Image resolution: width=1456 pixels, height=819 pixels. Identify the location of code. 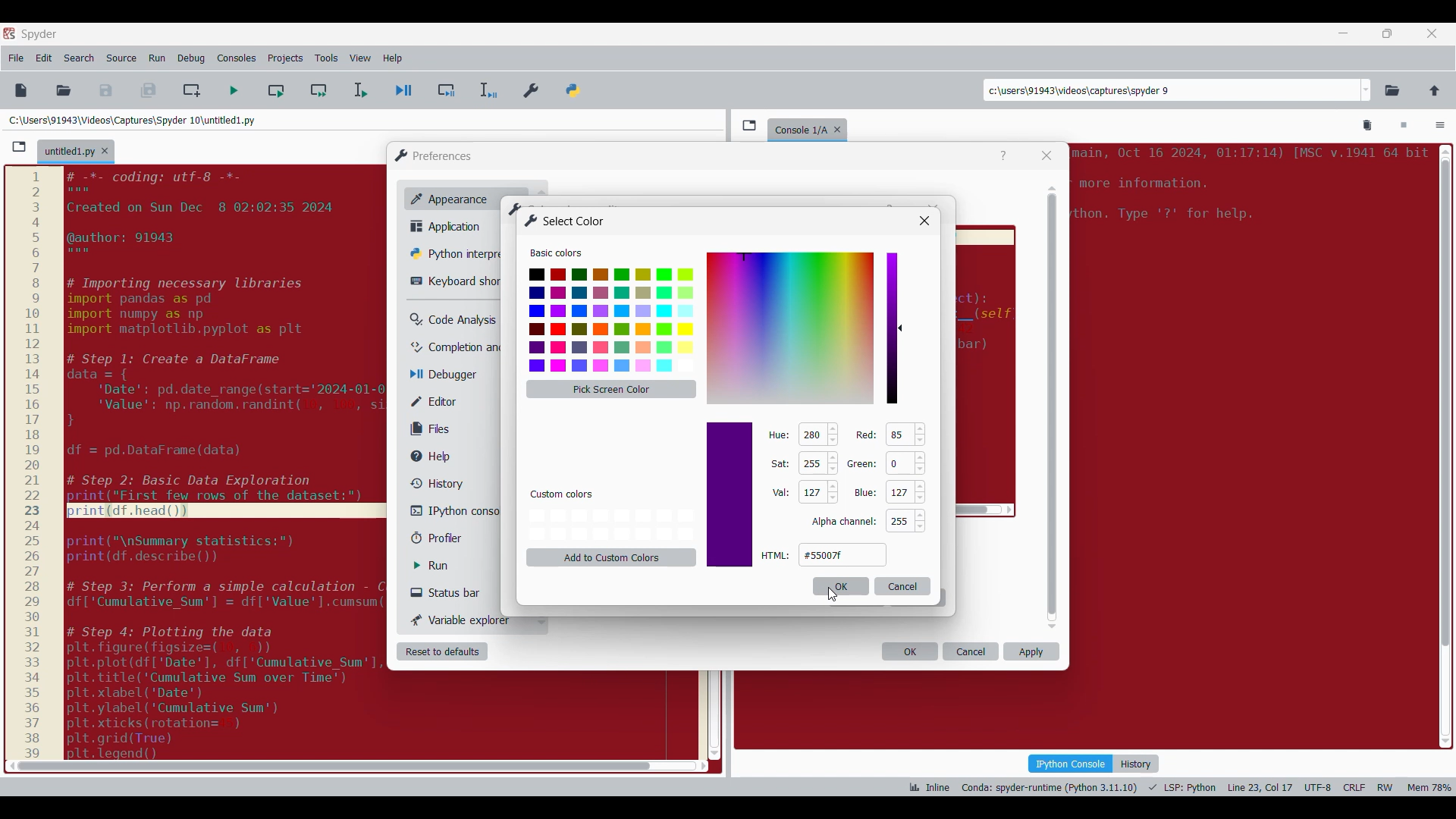
(218, 460).